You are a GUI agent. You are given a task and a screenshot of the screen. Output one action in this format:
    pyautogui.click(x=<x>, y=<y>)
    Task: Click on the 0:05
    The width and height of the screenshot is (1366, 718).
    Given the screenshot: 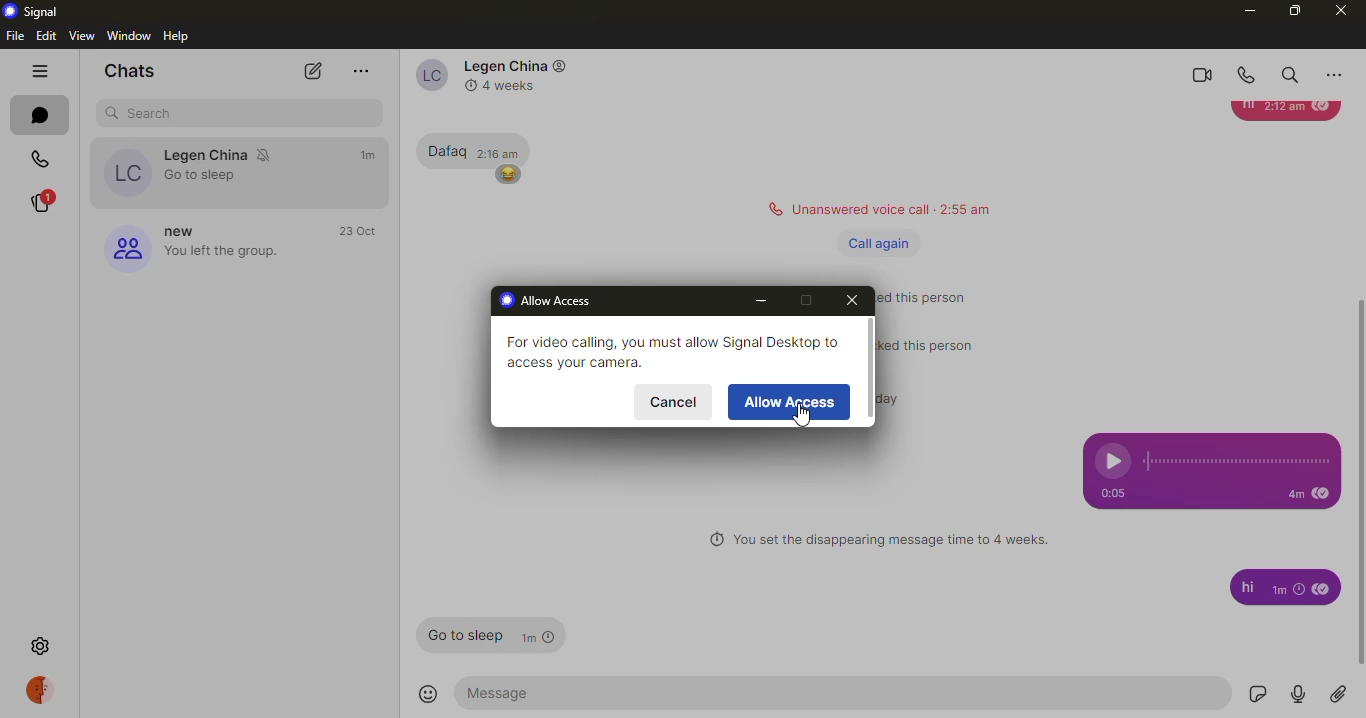 What is the action you would take?
    pyautogui.click(x=1110, y=495)
    